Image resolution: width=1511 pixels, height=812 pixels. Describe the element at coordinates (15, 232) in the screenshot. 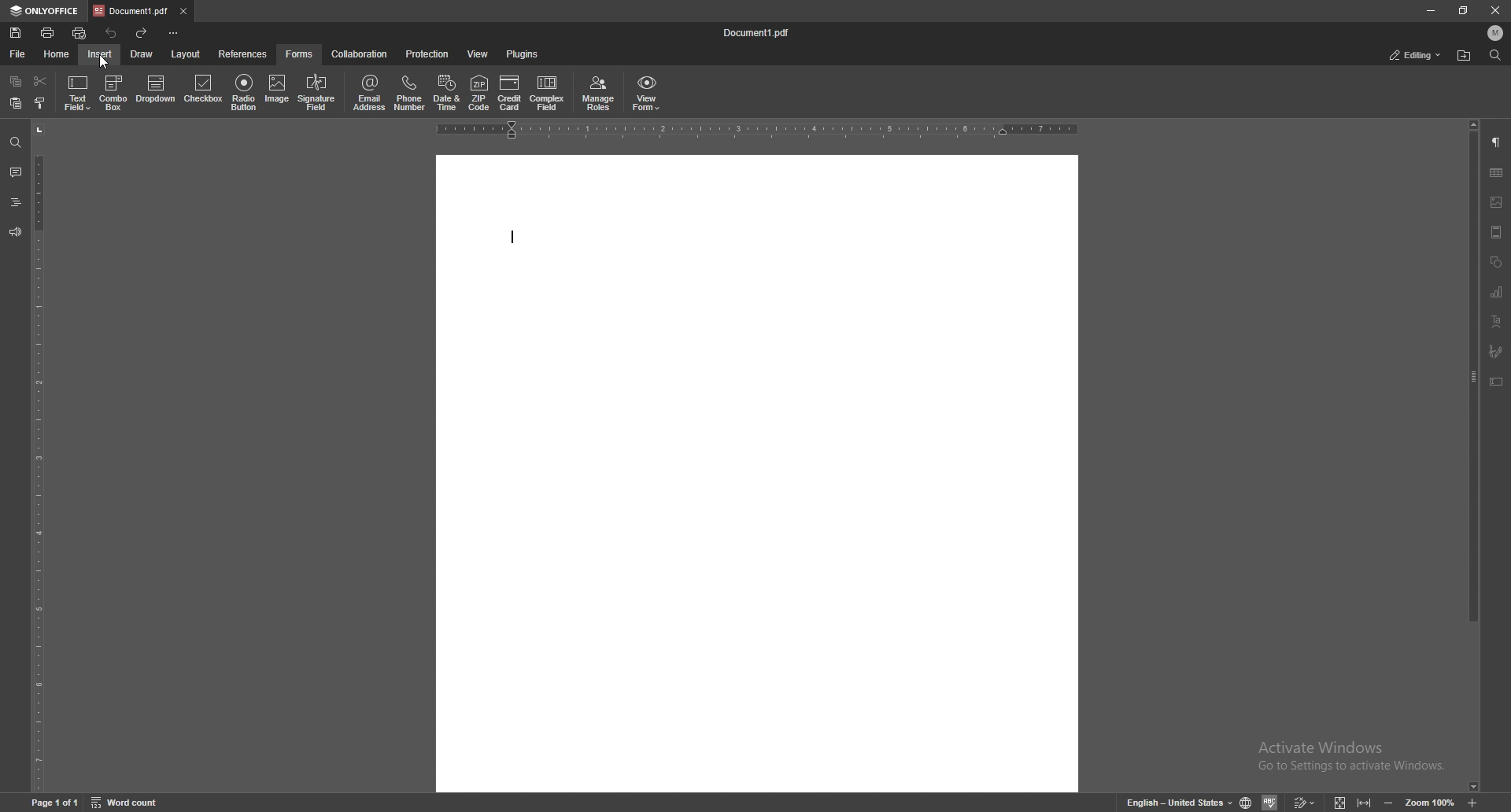

I see `feedback` at that location.